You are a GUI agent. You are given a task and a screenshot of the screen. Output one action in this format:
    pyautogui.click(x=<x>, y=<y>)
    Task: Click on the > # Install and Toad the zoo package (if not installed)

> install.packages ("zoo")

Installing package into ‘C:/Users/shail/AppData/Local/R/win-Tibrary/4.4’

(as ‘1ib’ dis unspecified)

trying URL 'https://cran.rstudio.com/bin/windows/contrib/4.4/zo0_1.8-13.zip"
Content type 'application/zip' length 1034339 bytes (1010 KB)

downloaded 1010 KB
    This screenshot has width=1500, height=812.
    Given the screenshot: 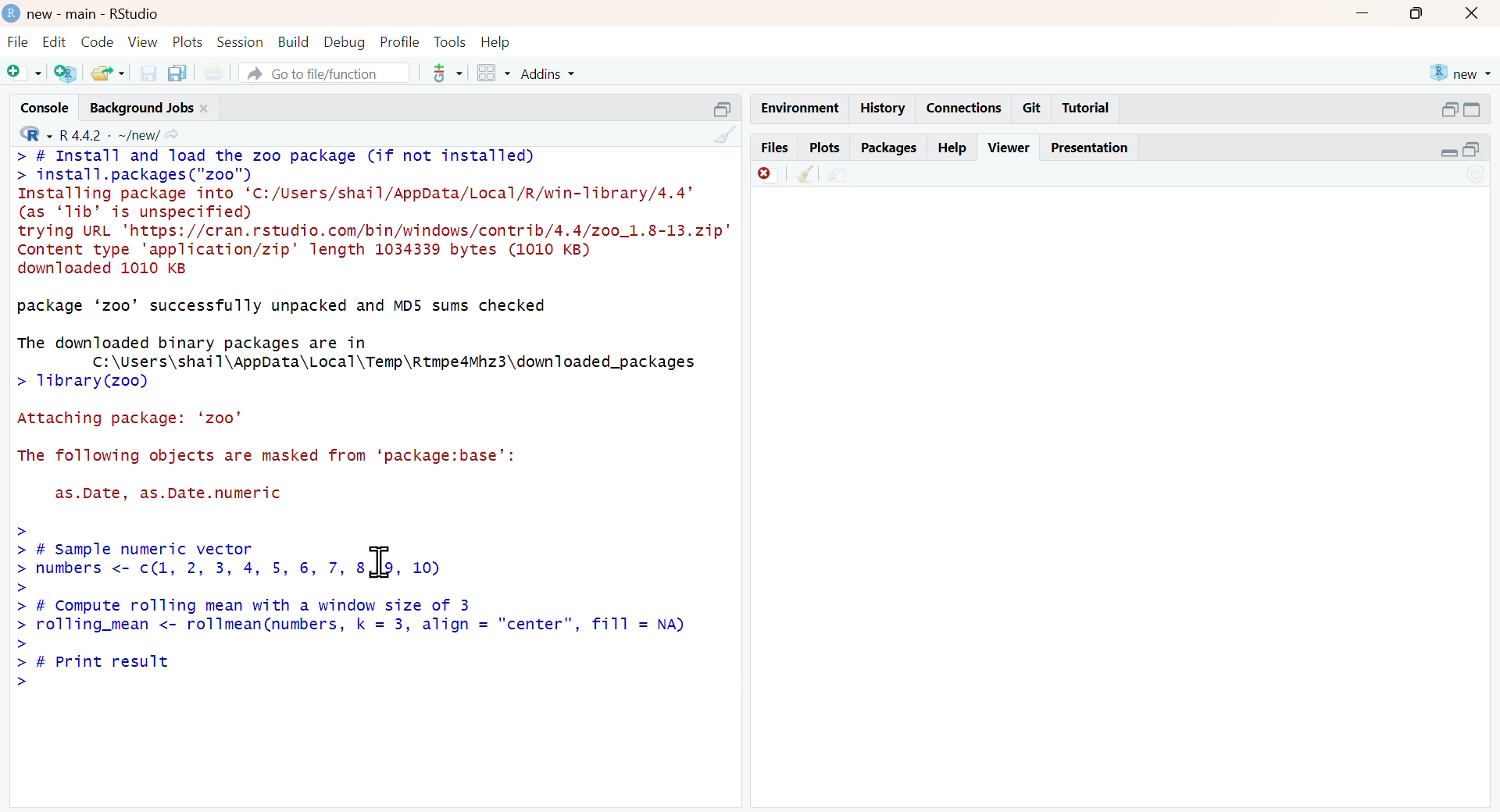 What is the action you would take?
    pyautogui.click(x=374, y=213)
    